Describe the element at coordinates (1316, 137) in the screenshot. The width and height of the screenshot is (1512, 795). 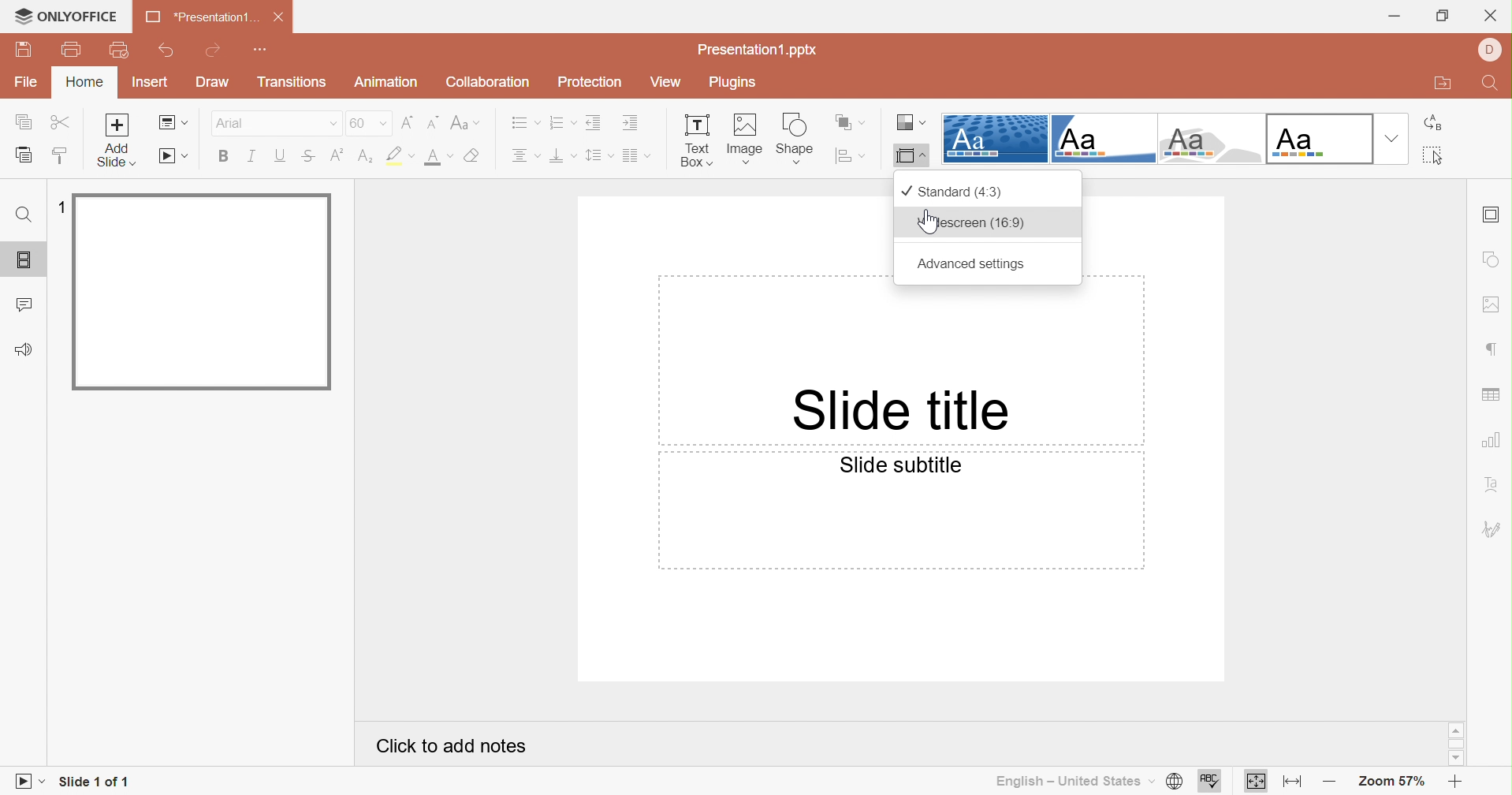
I see `Office theme` at that location.